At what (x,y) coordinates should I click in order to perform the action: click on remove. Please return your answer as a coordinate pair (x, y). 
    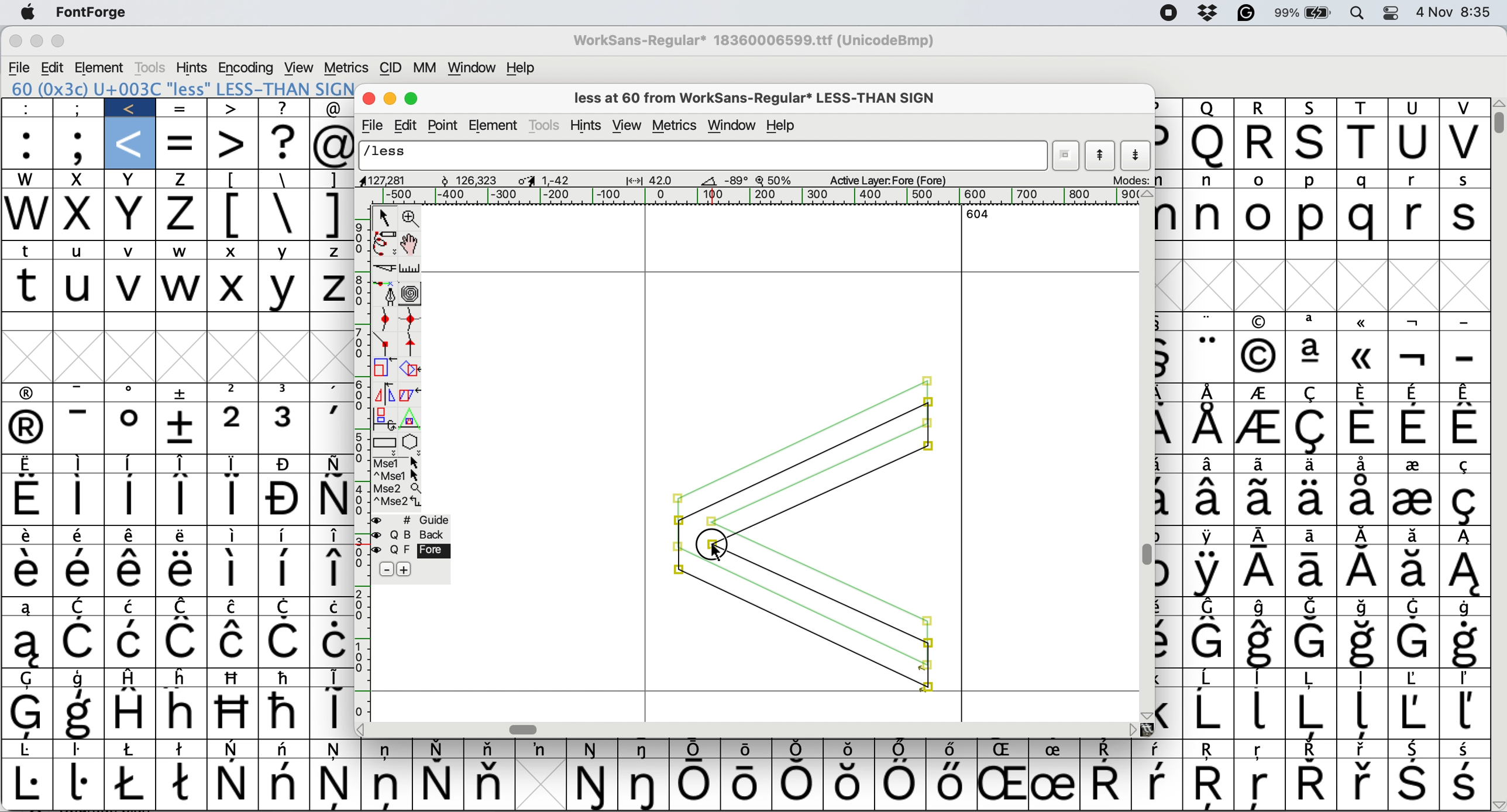
    Looking at the image, I should click on (389, 568).